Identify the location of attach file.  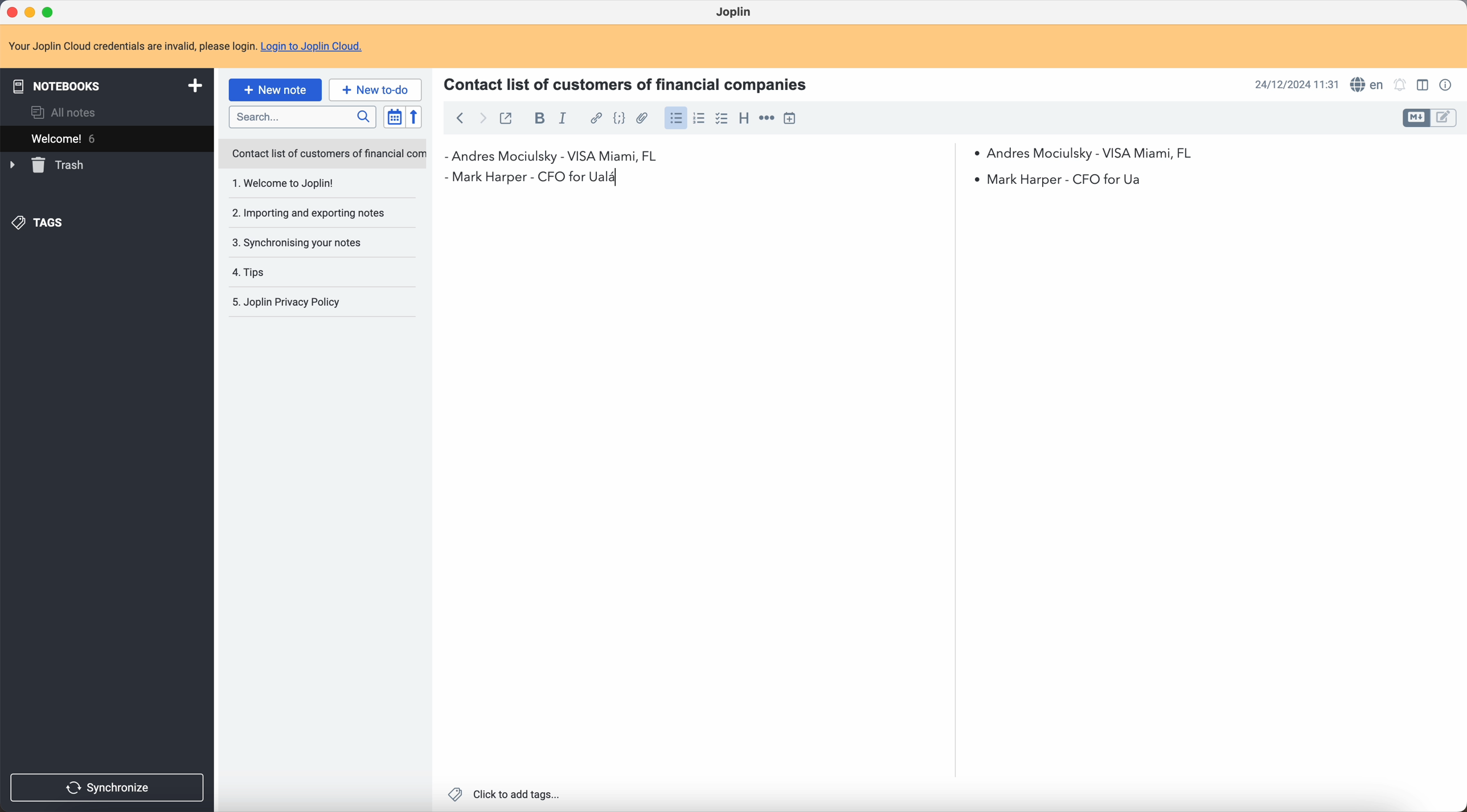
(643, 118).